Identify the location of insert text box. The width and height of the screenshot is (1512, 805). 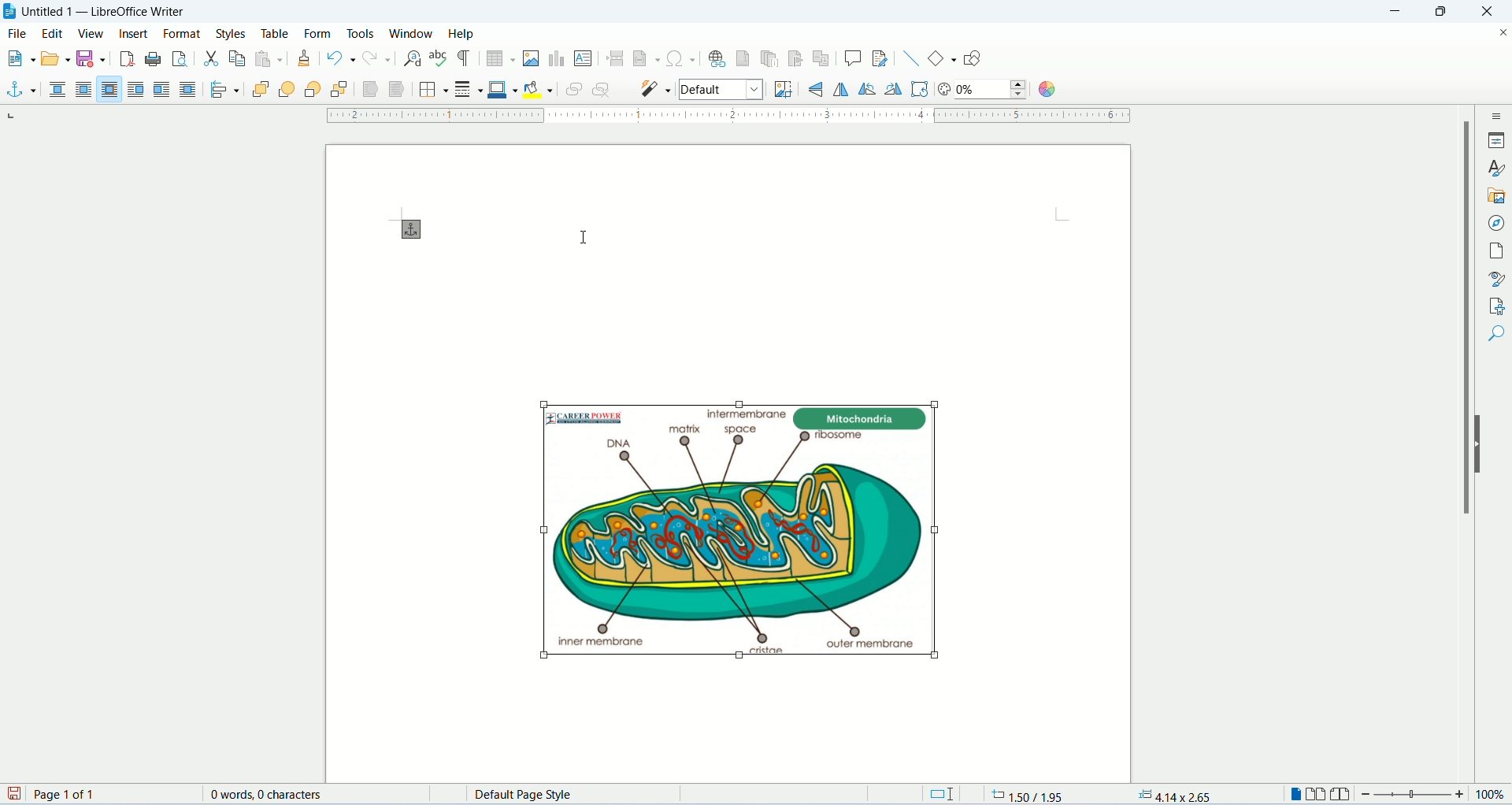
(583, 57).